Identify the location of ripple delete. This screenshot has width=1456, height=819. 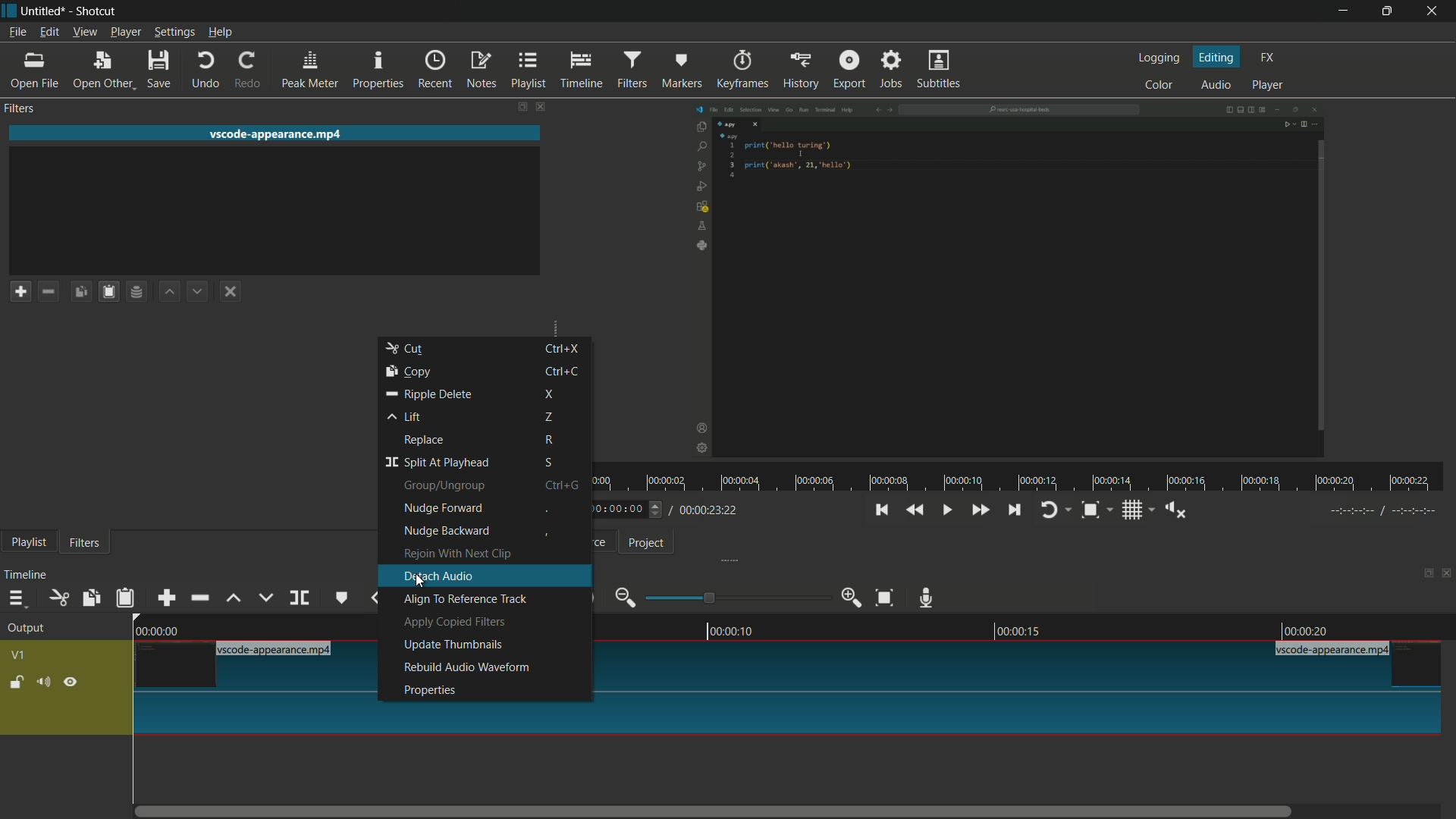
(199, 598).